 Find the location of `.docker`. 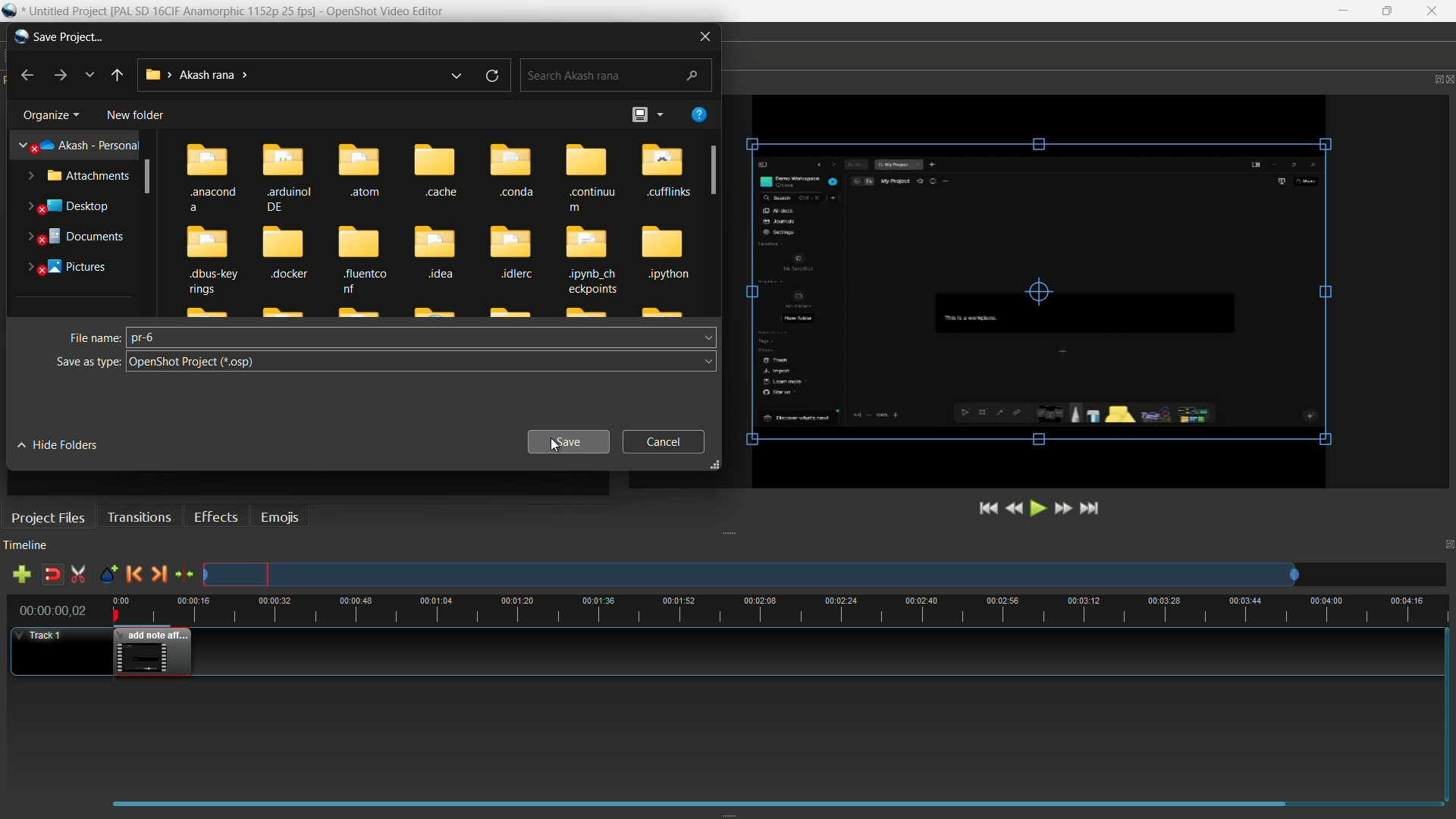

.docker is located at coordinates (287, 261).